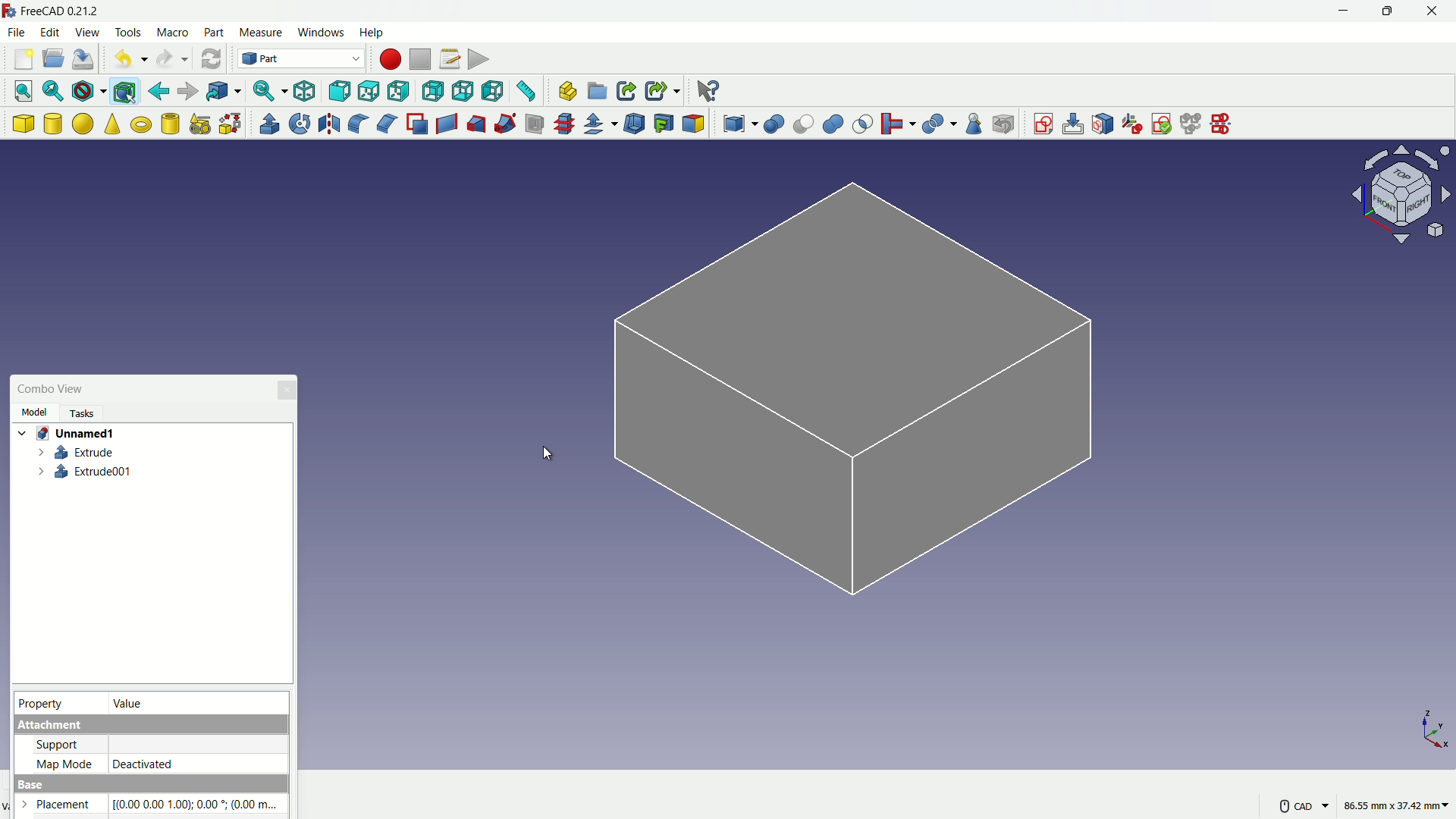 This screenshot has height=819, width=1456. Describe the element at coordinates (301, 123) in the screenshot. I see `rotate` at that location.